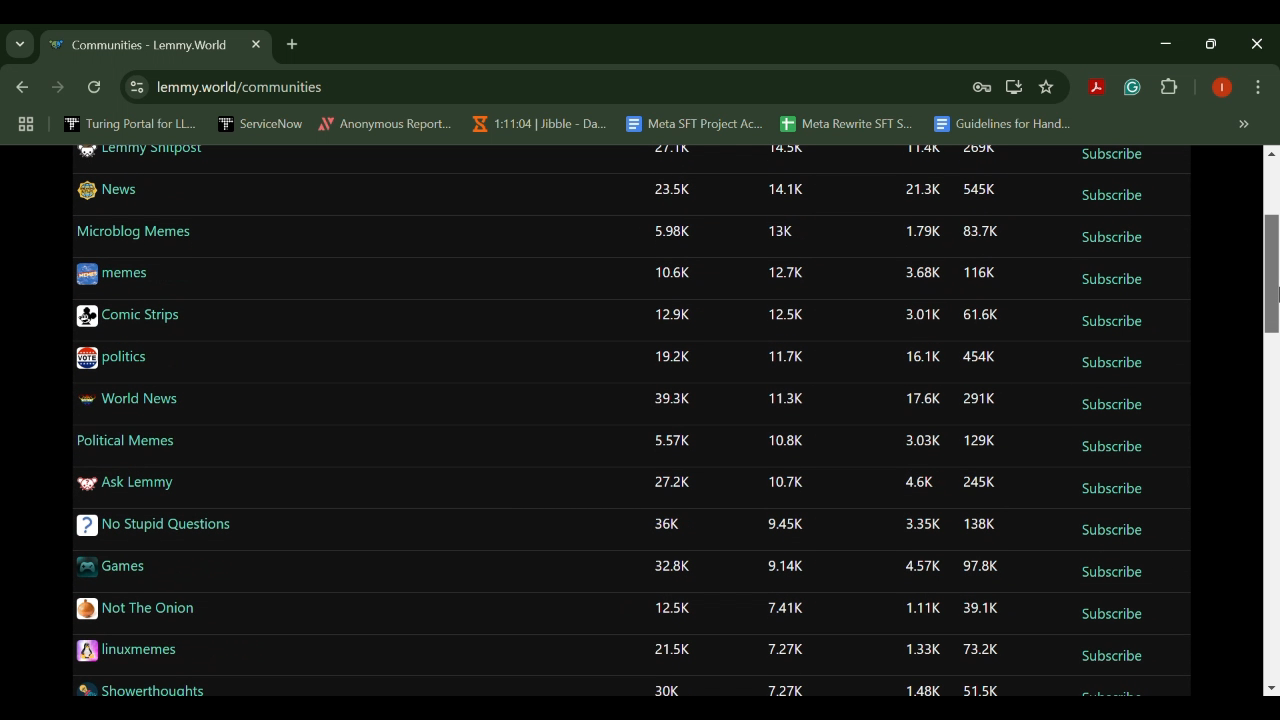 Image resolution: width=1280 pixels, height=720 pixels. Describe the element at coordinates (979, 439) in the screenshot. I see `129K` at that location.